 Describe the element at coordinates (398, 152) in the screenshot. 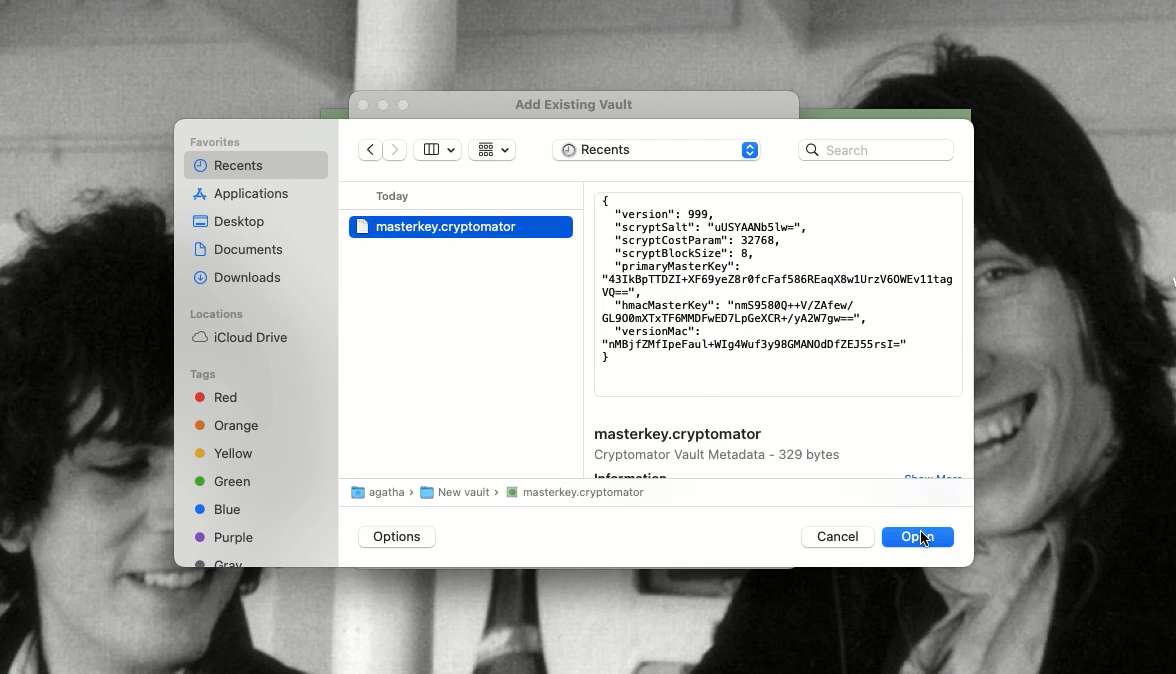

I see `Next` at that location.